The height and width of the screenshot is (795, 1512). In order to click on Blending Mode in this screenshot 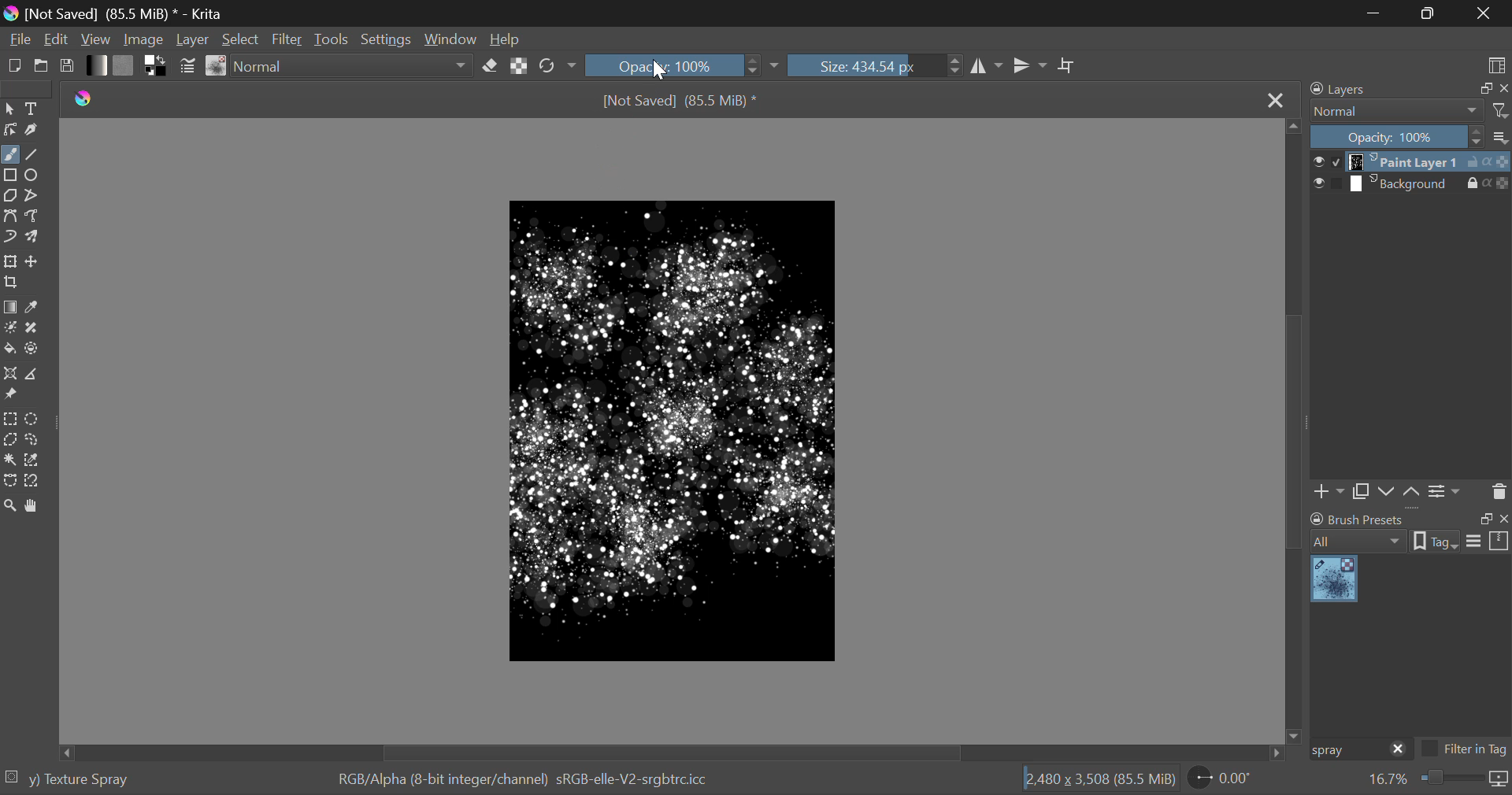, I will do `click(354, 66)`.